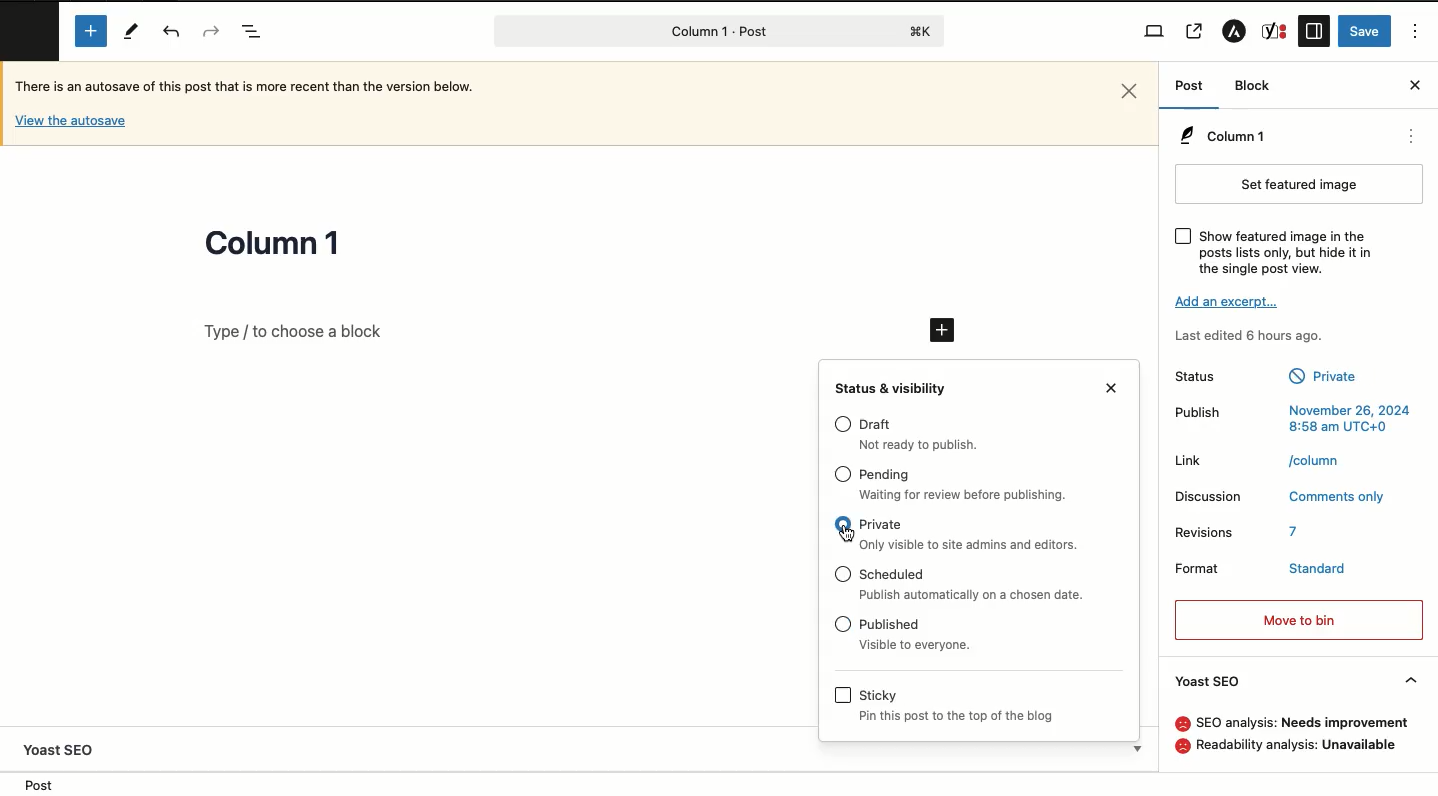 The width and height of the screenshot is (1438, 796). I want to click on Checkbox, so click(843, 623).